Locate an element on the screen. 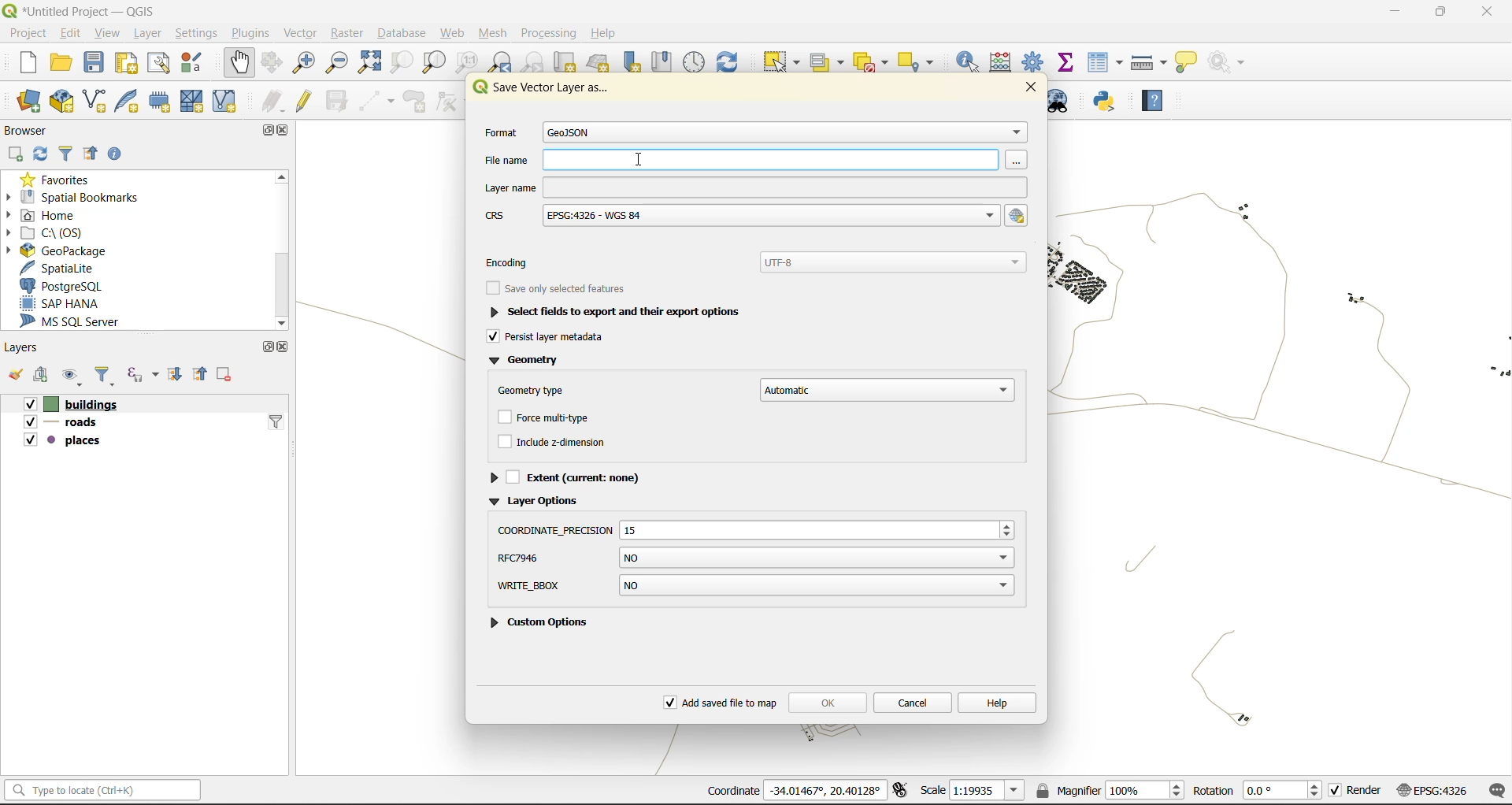 The width and height of the screenshot is (1512, 805). force multitype is located at coordinates (547, 419).